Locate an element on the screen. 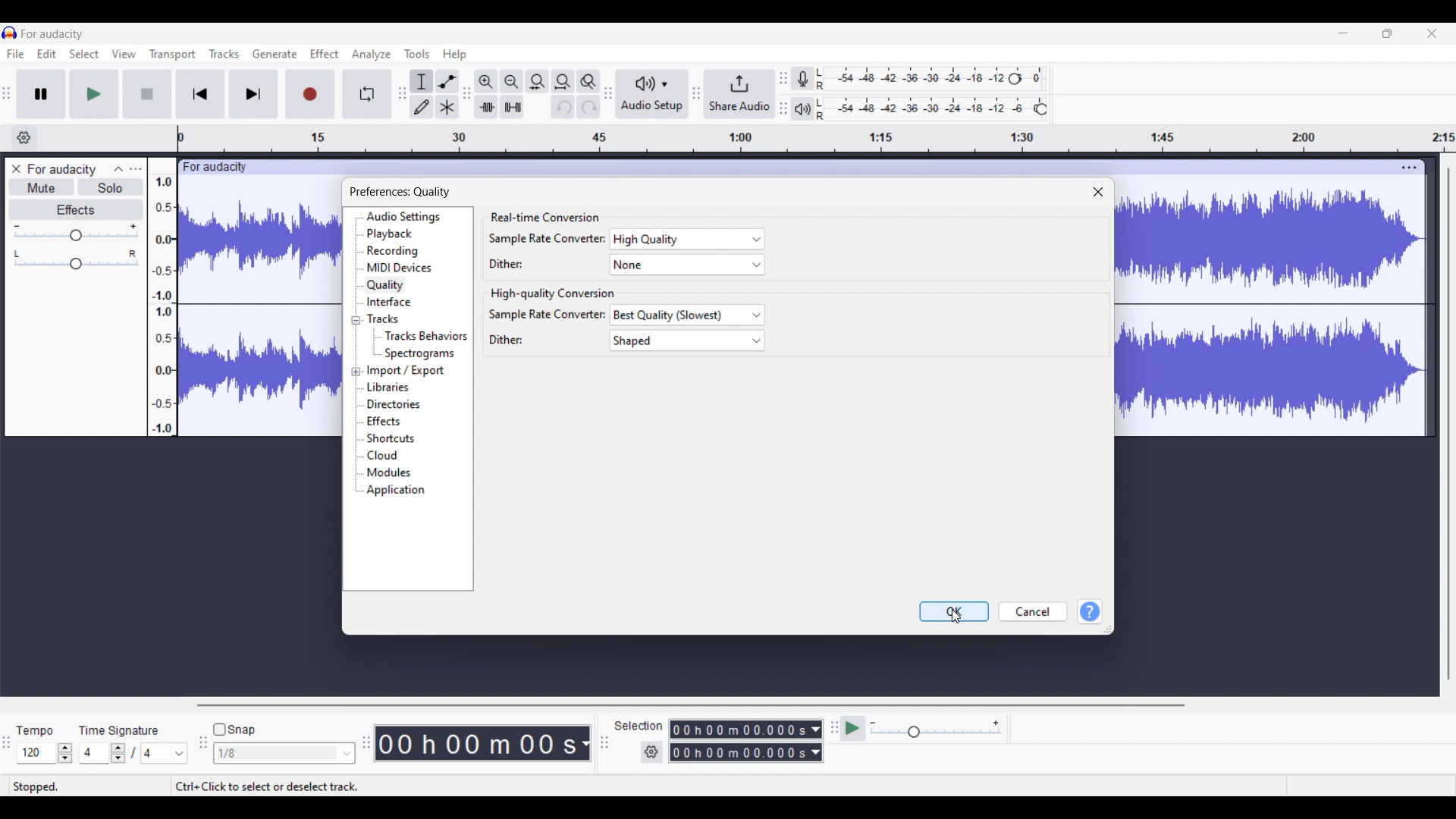 The image size is (1456, 819). none is located at coordinates (695, 262).